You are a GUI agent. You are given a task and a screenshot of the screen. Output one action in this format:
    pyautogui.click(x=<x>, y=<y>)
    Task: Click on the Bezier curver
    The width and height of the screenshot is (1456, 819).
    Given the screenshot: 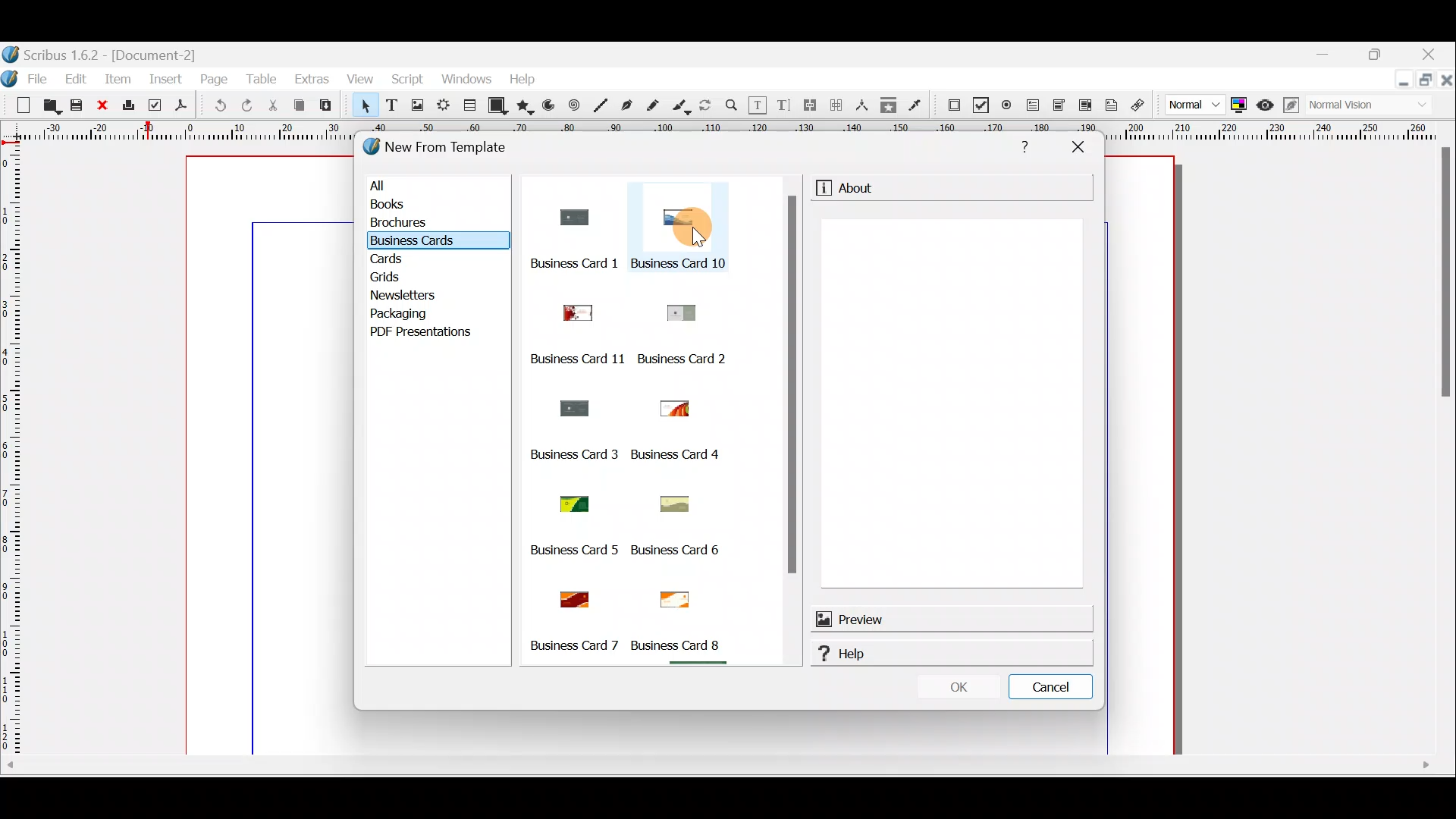 What is the action you would take?
    pyautogui.click(x=627, y=105)
    